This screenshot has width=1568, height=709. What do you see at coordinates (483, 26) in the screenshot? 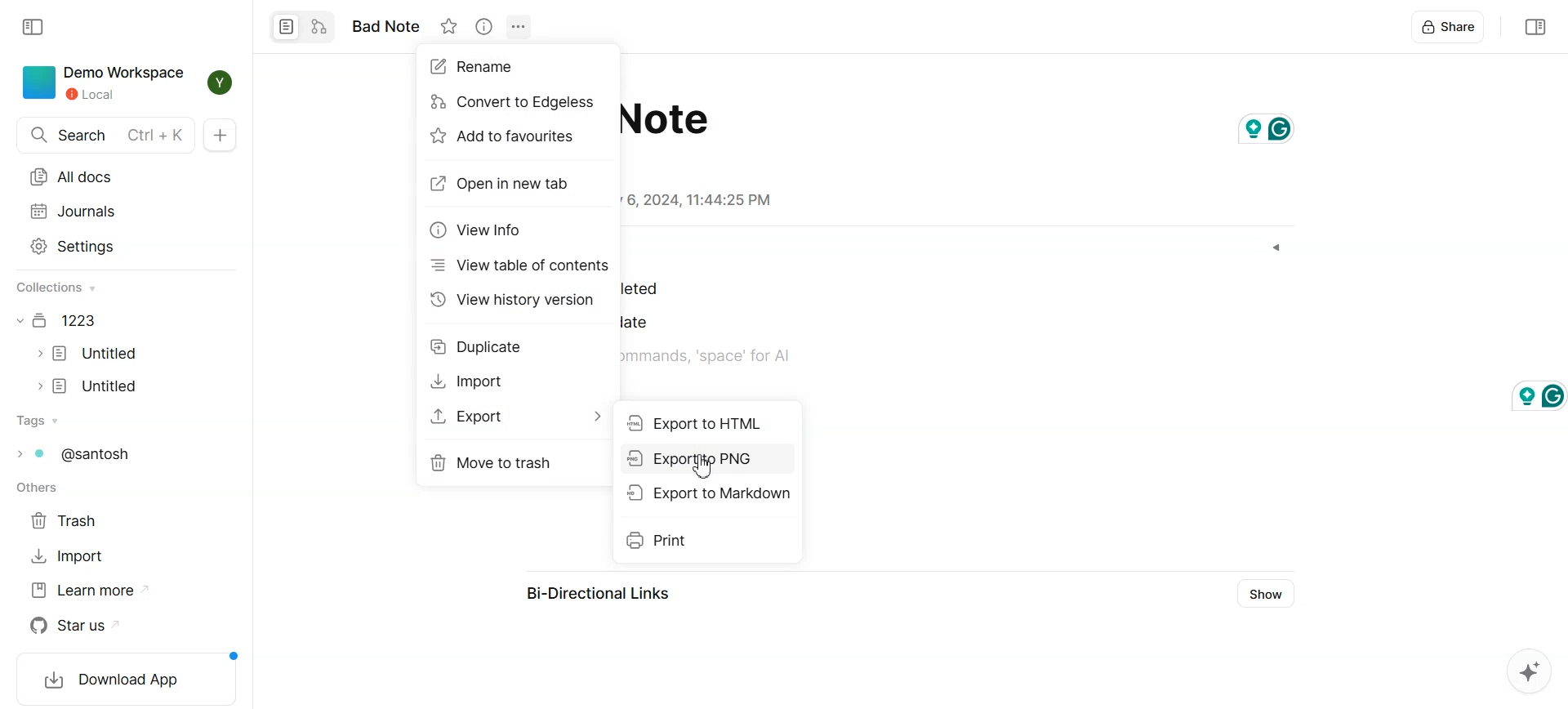
I see `View Info` at bounding box center [483, 26].